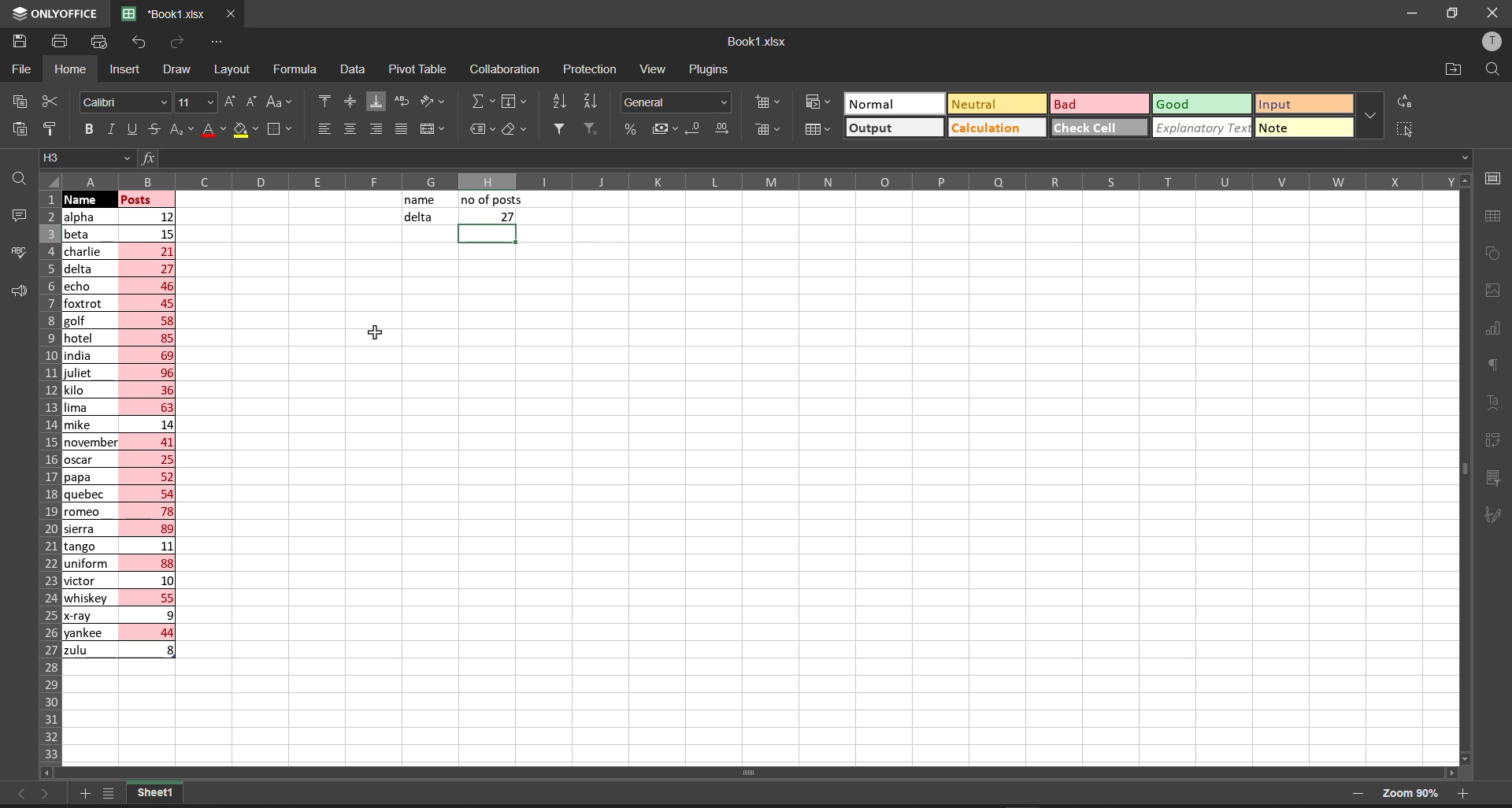 Image resolution: width=1512 pixels, height=808 pixels. I want to click on pivot table settings, so click(1498, 439).